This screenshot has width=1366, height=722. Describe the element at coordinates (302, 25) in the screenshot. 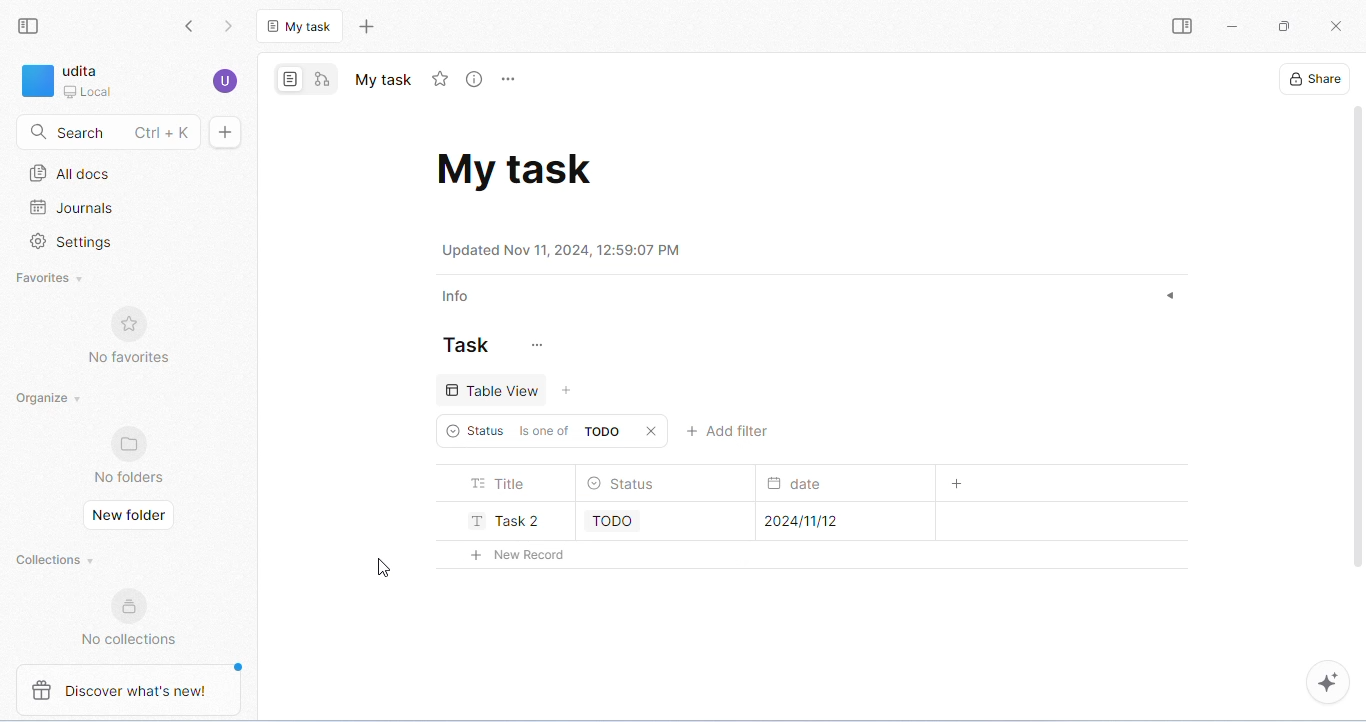

I see `current tab` at that location.